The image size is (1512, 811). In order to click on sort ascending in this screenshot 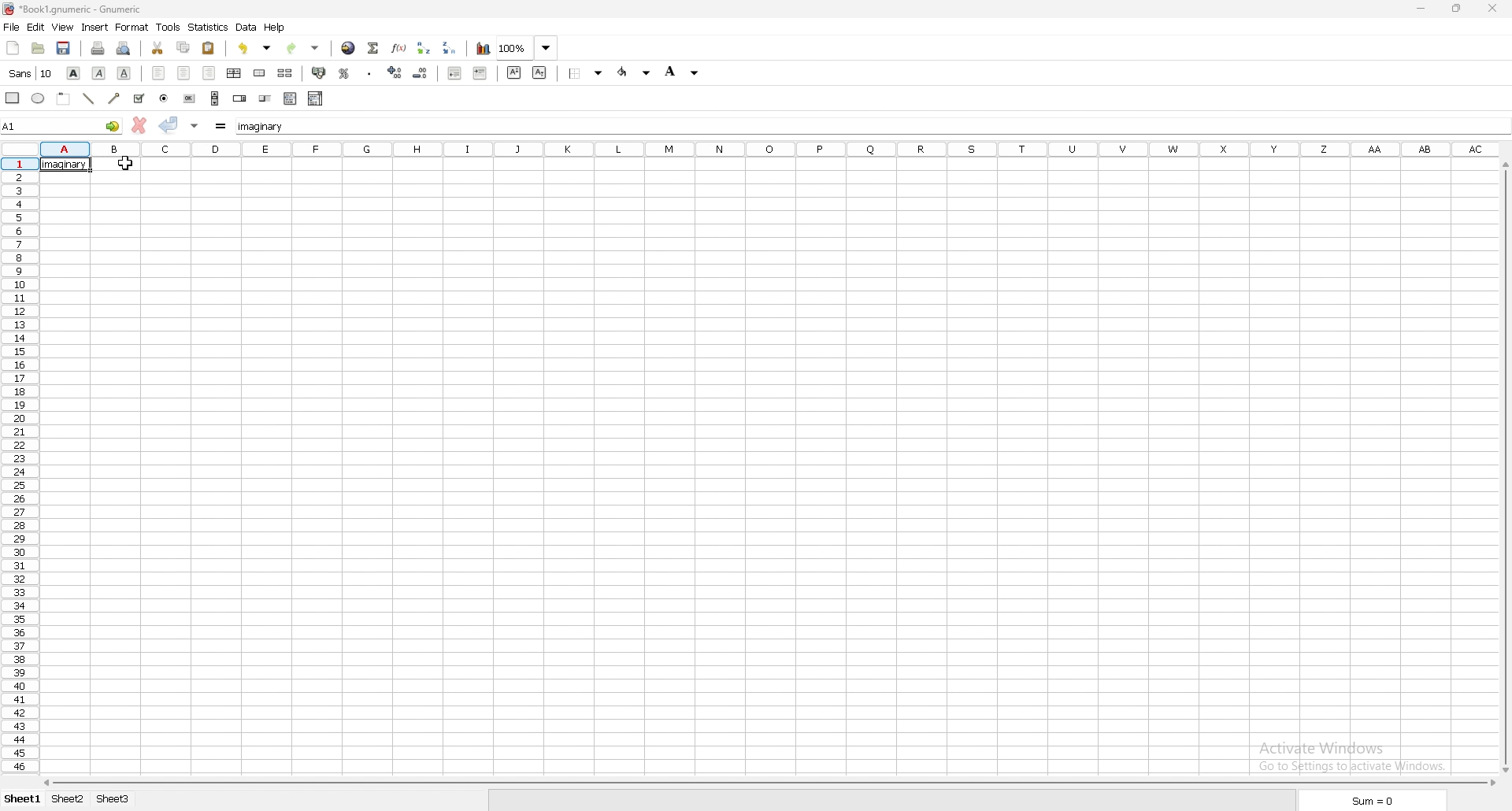, I will do `click(425, 48)`.